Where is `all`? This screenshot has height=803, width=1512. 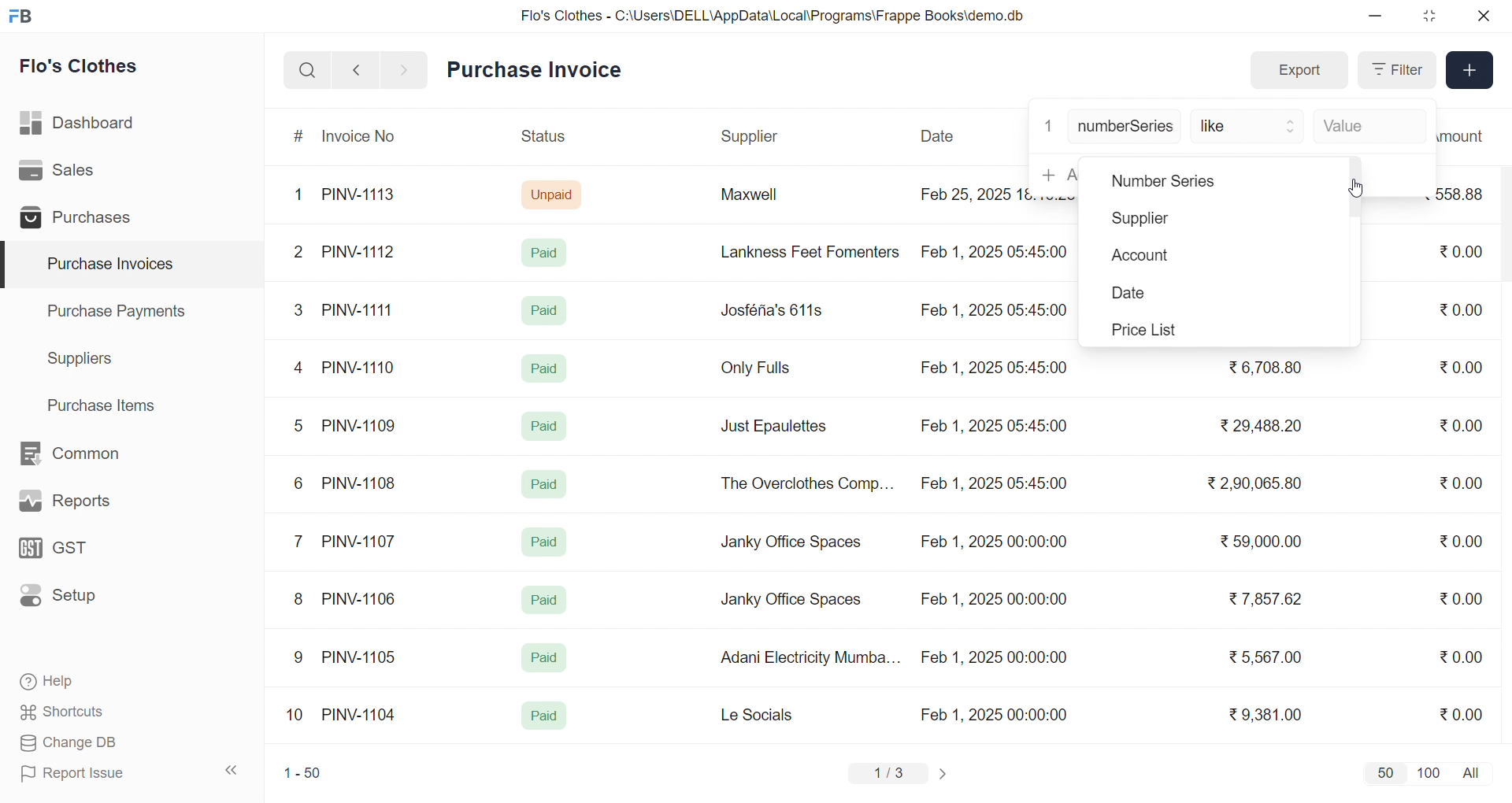 all is located at coordinates (1474, 772).